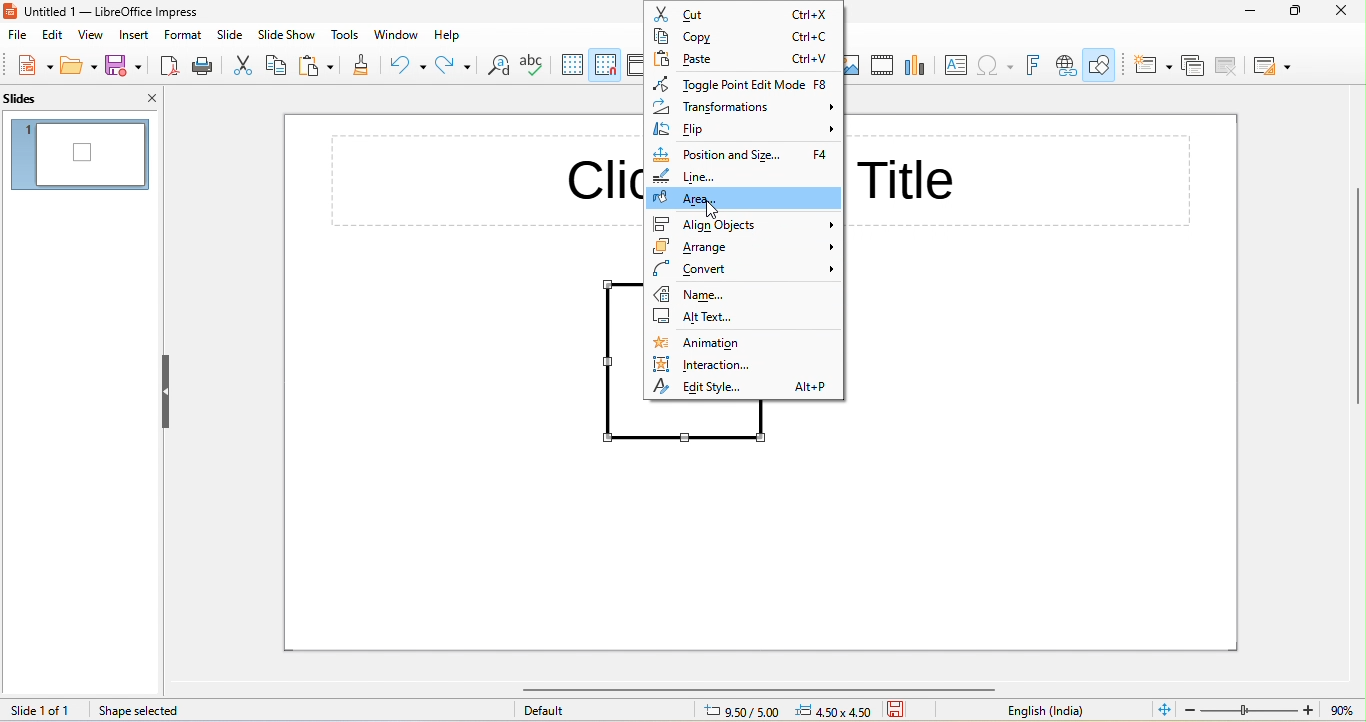  What do you see at coordinates (138, 97) in the screenshot?
I see `close` at bounding box center [138, 97].